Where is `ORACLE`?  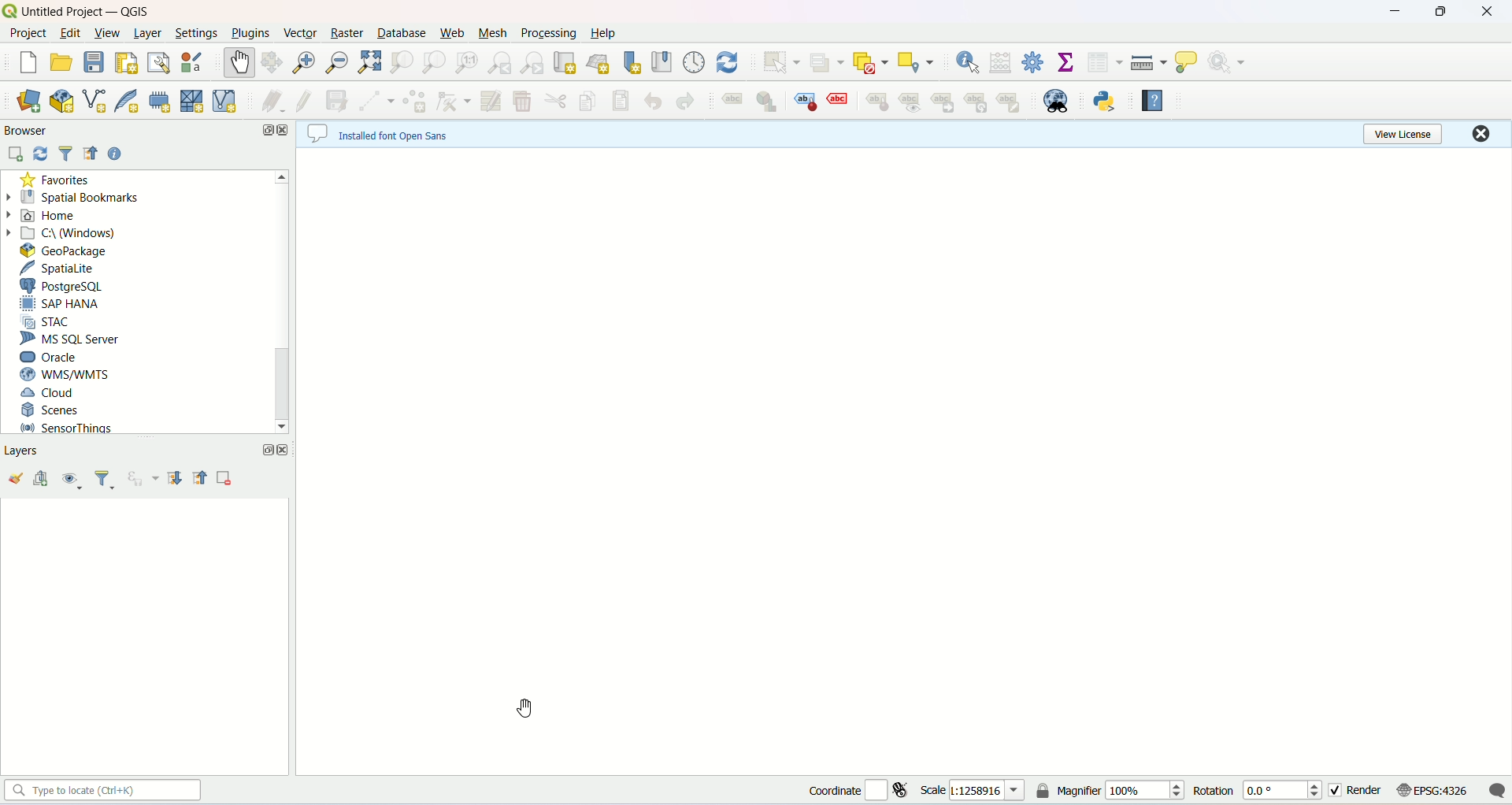
ORACLE is located at coordinates (46, 357).